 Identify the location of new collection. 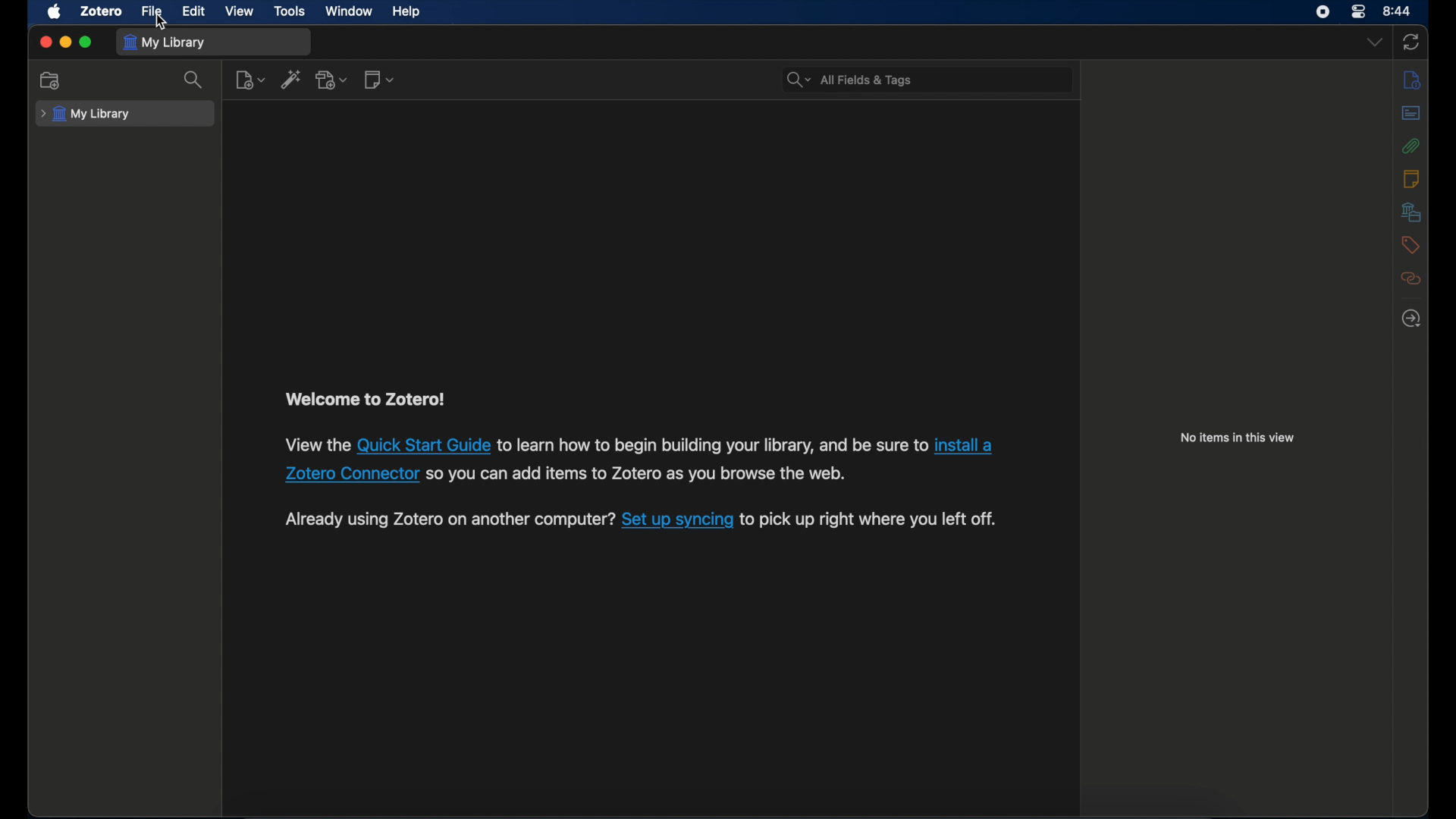
(52, 81).